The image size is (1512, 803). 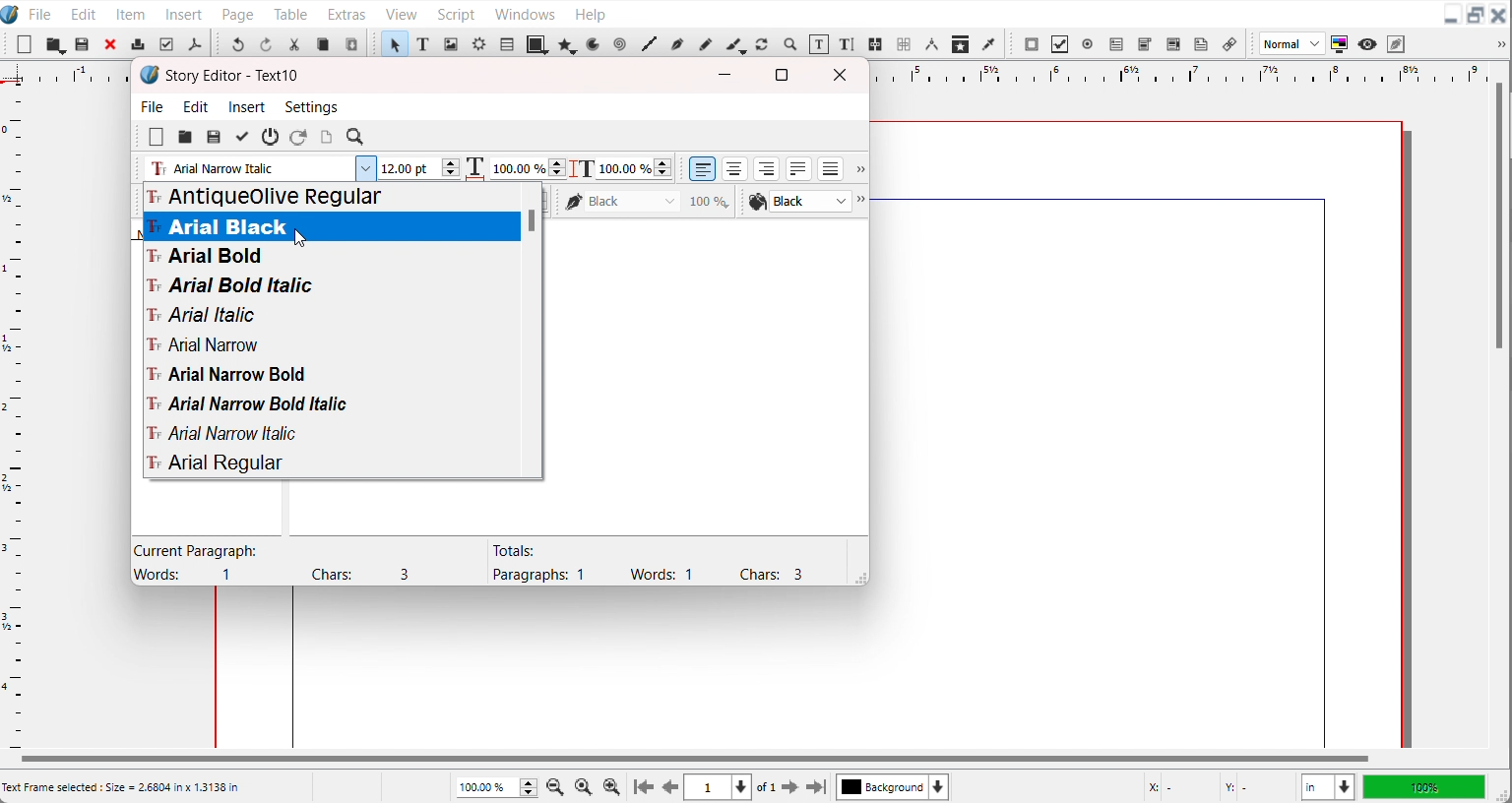 What do you see at coordinates (1201, 44) in the screenshot?
I see `Text Annotation` at bounding box center [1201, 44].